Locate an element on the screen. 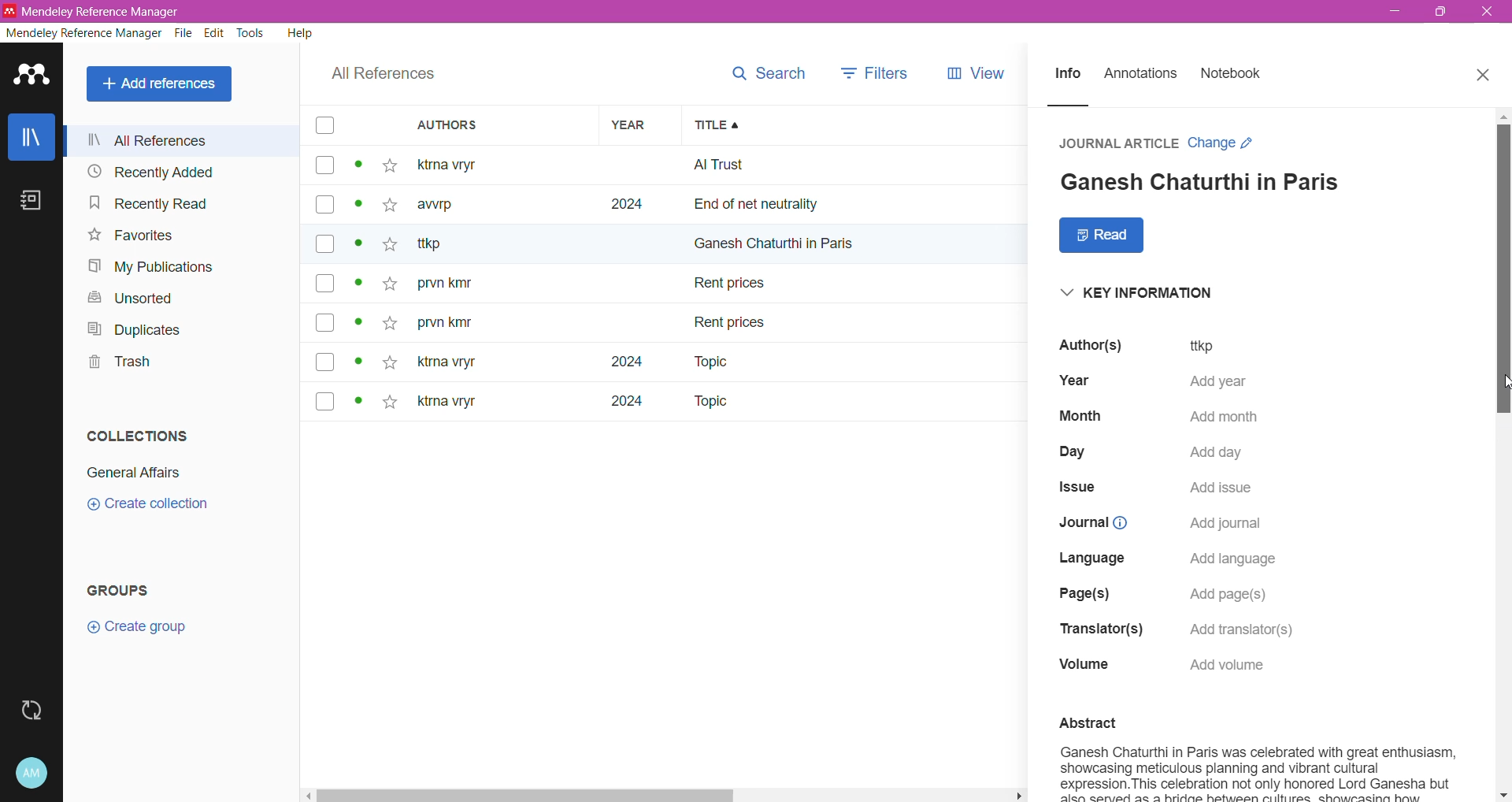 This screenshot has width=1512, height=802. View is located at coordinates (973, 71).